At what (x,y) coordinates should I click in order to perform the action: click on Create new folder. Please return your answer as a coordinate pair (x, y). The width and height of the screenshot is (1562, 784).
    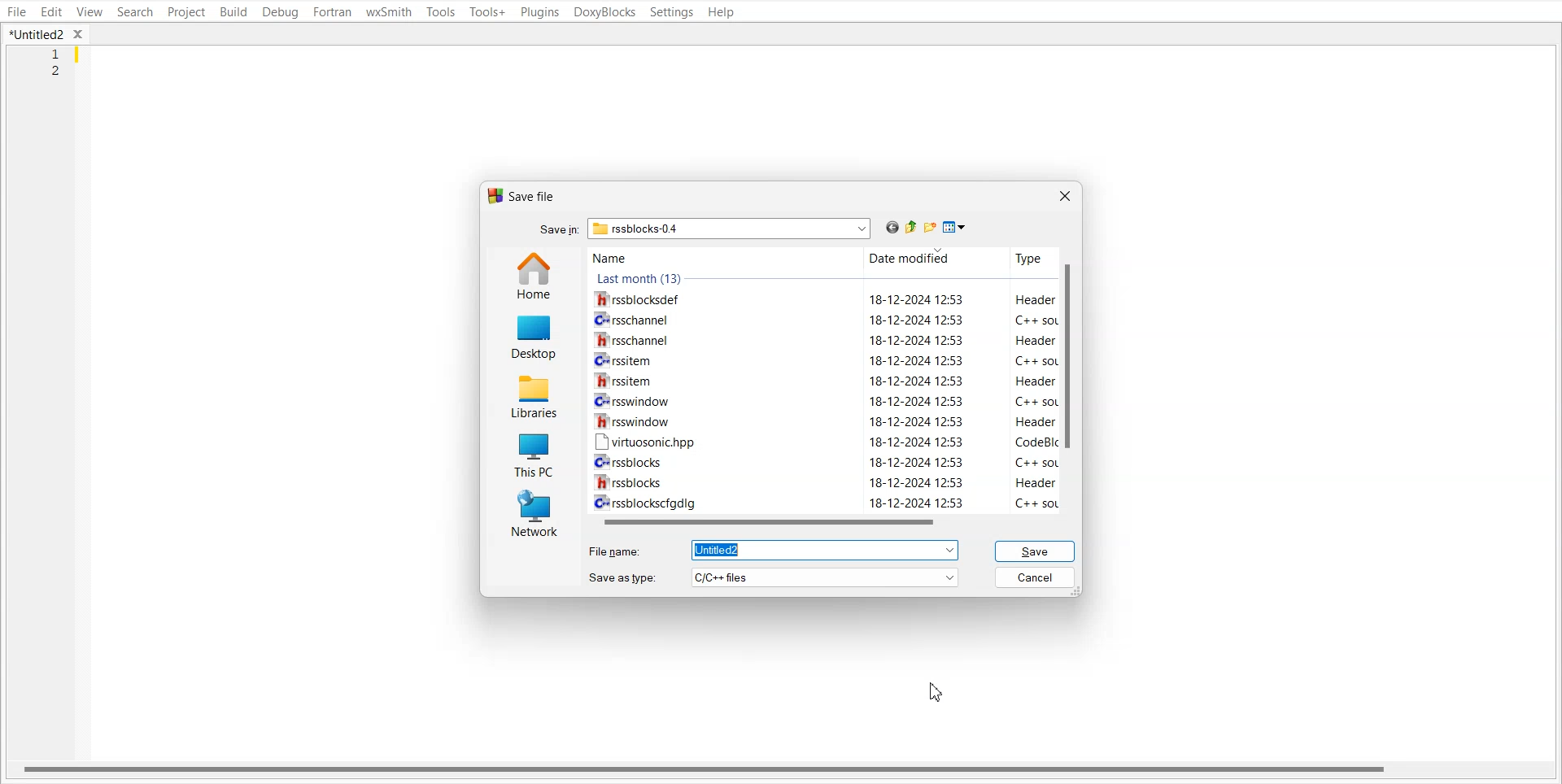
    Looking at the image, I should click on (932, 229).